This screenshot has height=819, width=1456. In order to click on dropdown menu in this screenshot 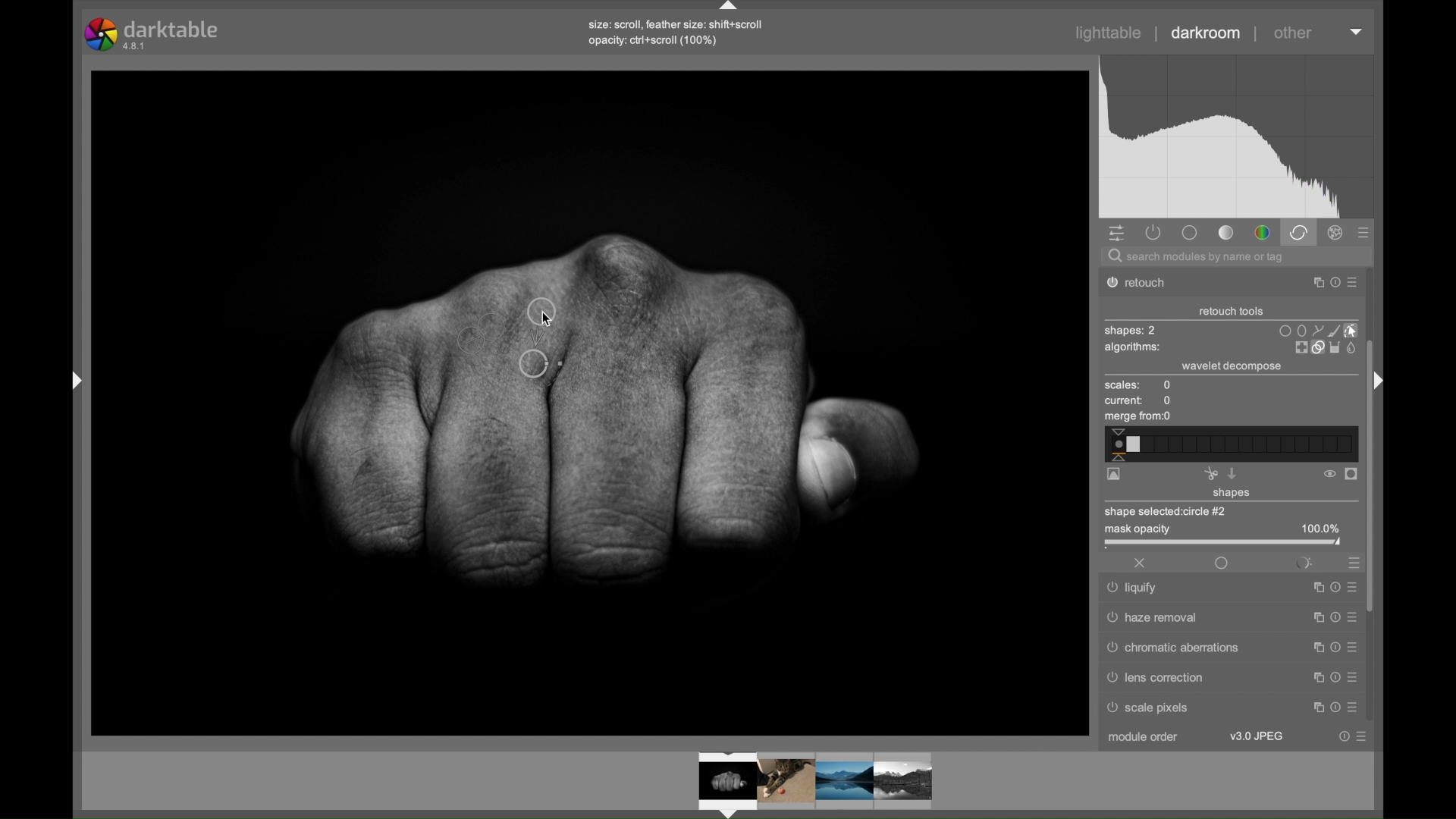, I will do `click(1357, 30)`.